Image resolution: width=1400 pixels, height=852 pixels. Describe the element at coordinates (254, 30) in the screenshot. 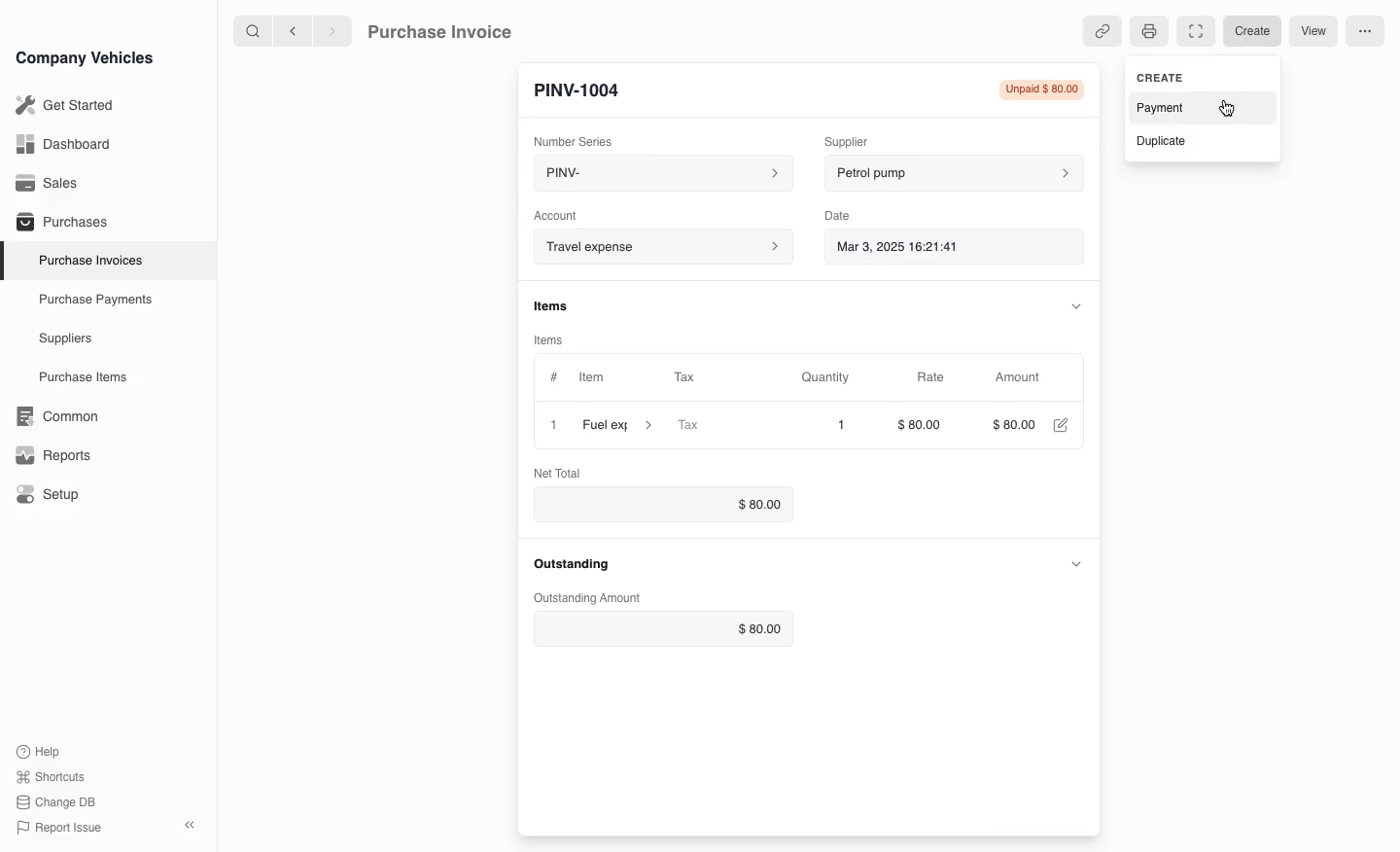

I see `search` at that location.